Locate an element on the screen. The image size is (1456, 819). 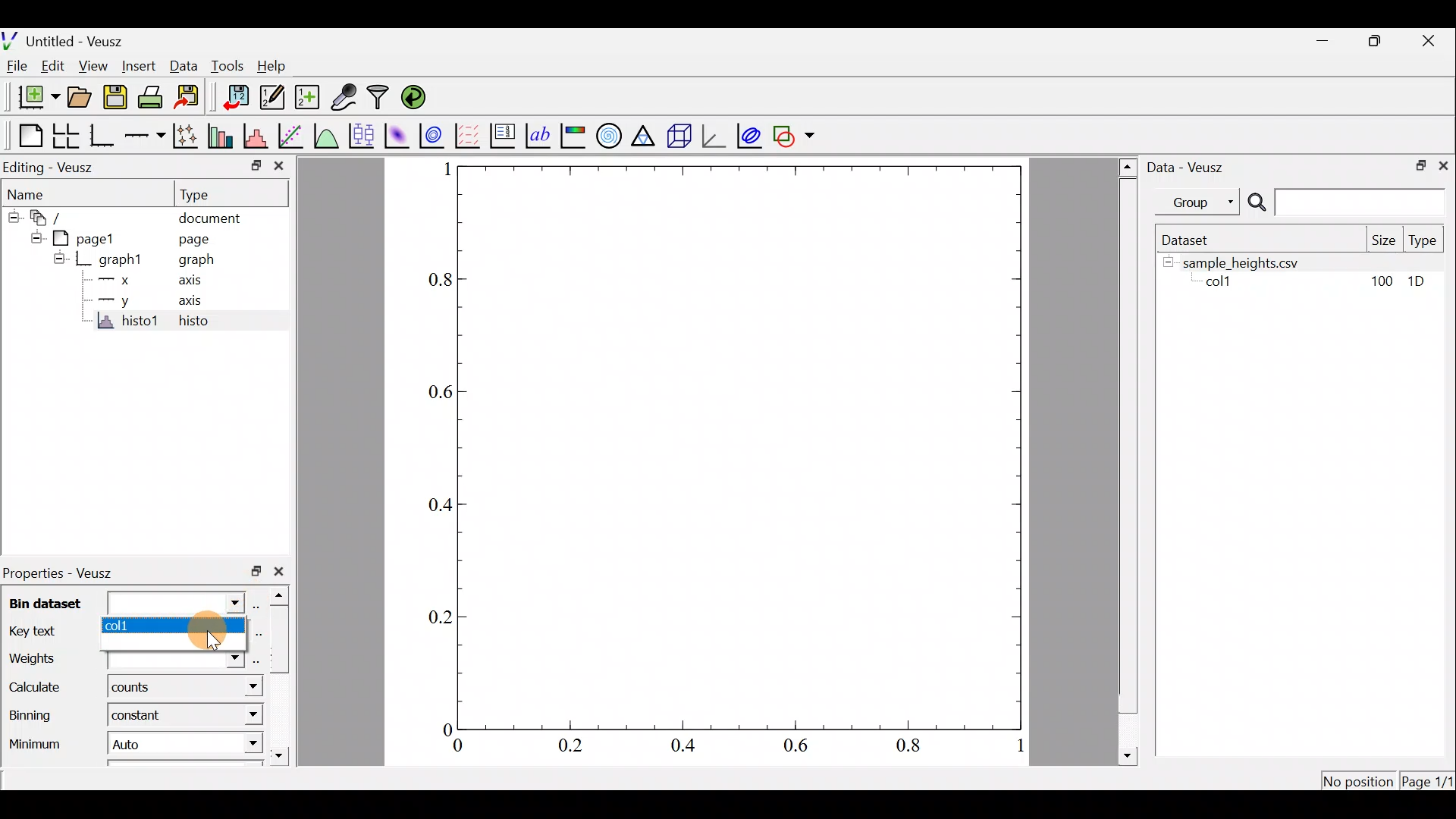
plot a function is located at coordinates (328, 136).